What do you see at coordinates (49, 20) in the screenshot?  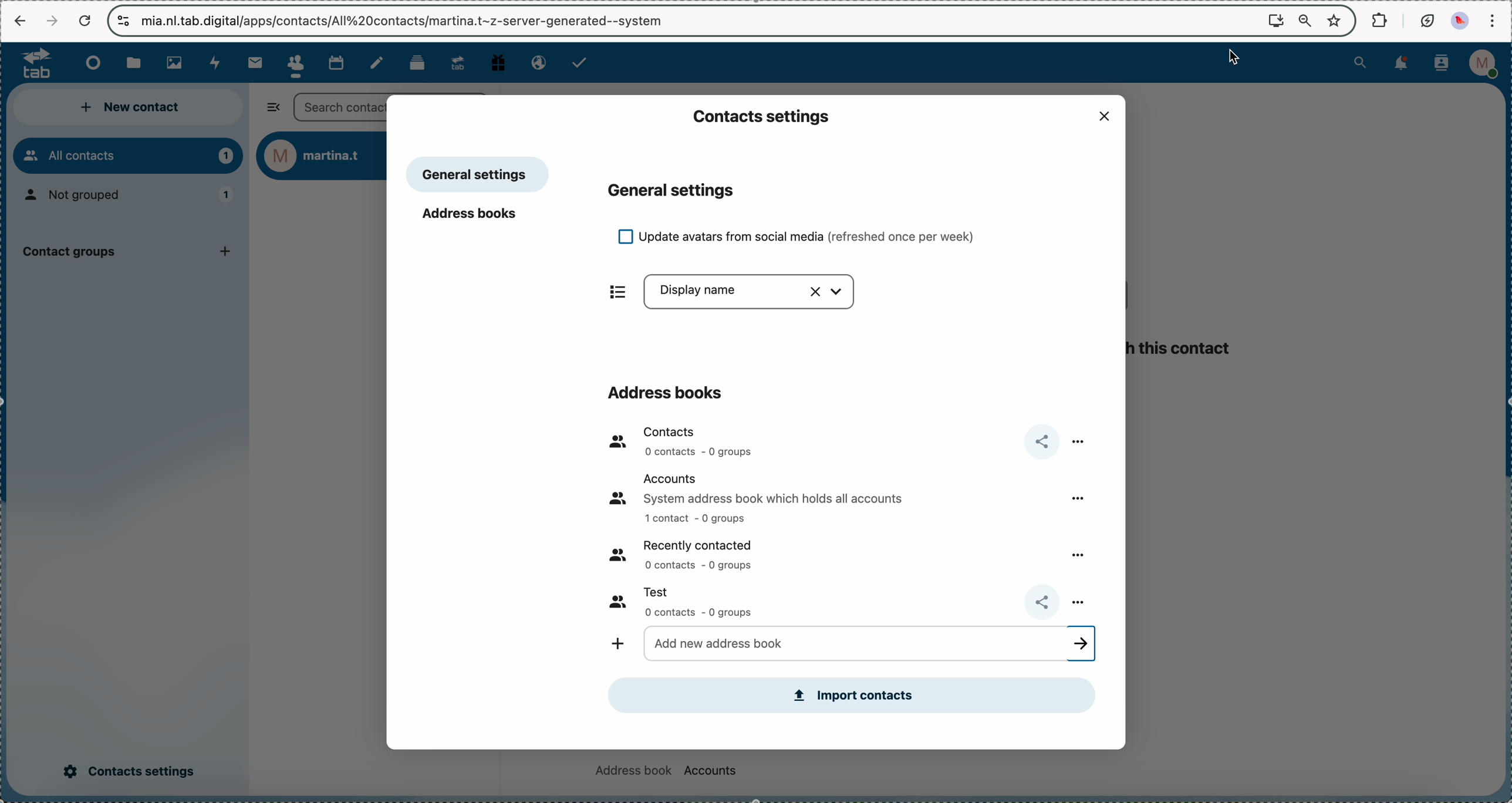 I see `navigate foward` at bounding box center [49, 20].